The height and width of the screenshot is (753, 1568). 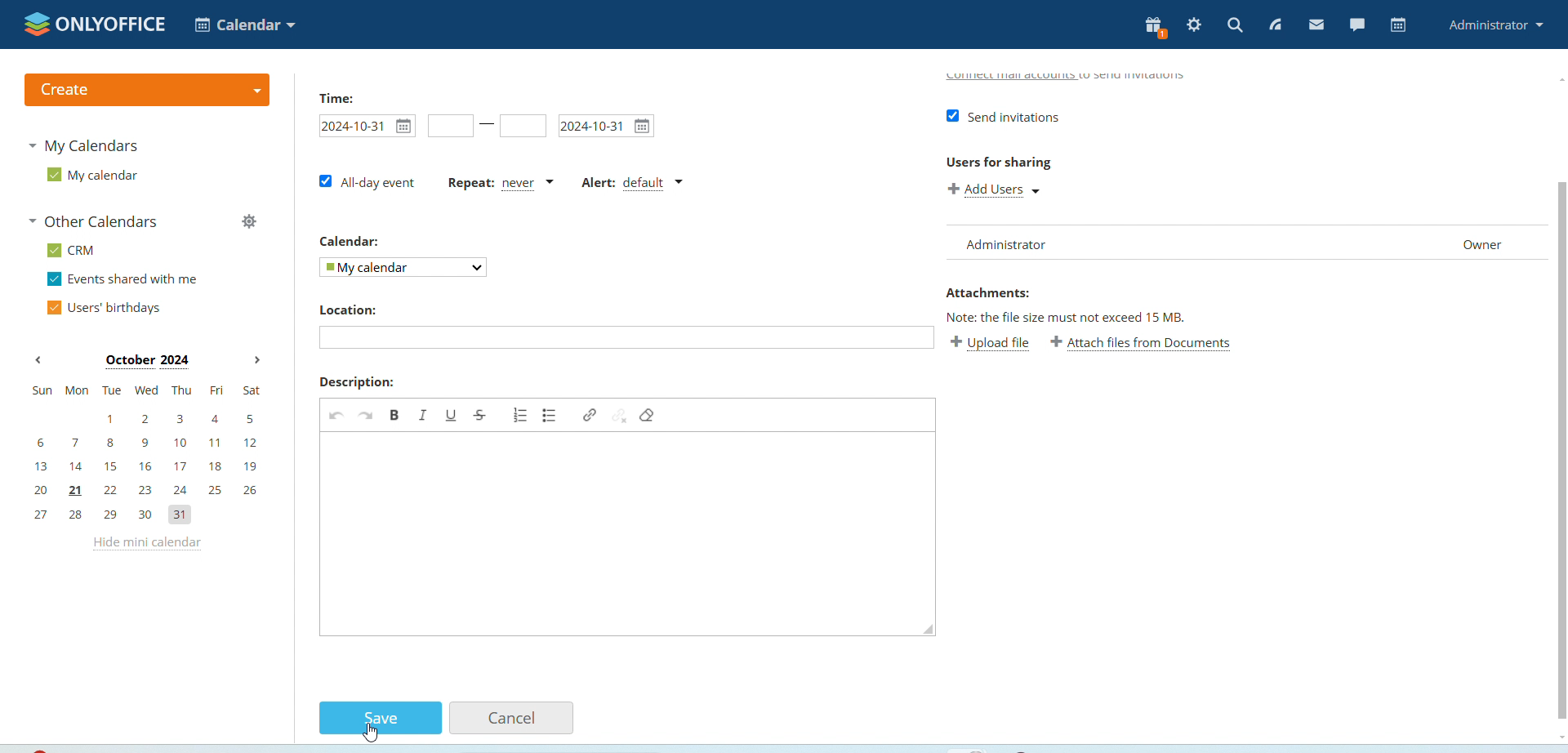 I want to click on october 2024, so click(x=146, y=361).